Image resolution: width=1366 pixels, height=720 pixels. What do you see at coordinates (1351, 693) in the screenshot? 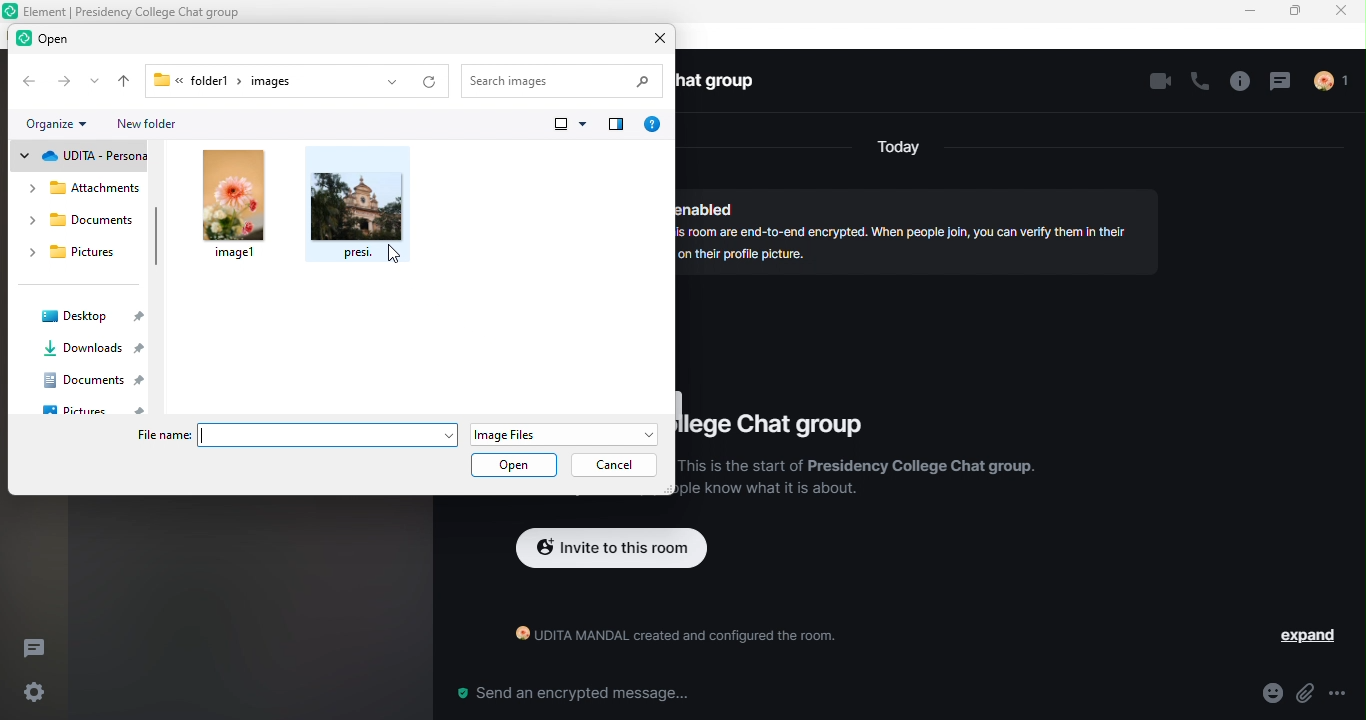
I see `option` at bounding box center [1351, 693].